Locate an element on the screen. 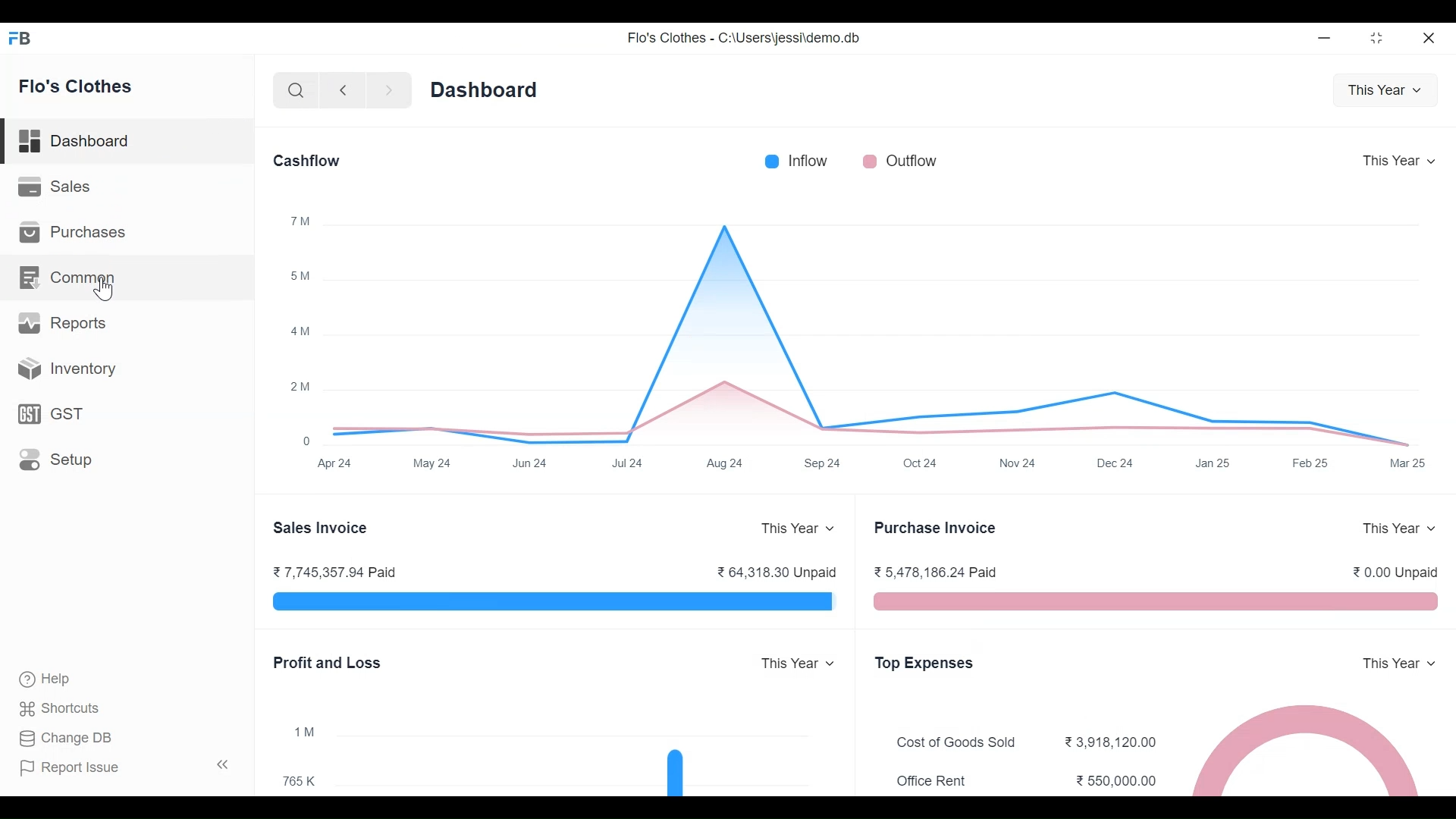 Image resolution: width=1456 pixels, height=819 pixels. The Purchase Invoice chart shows the total outstanding amount that Flo's Clothes have to pay to their suppliers for their purchases. is located at coordinates (1156, 602).